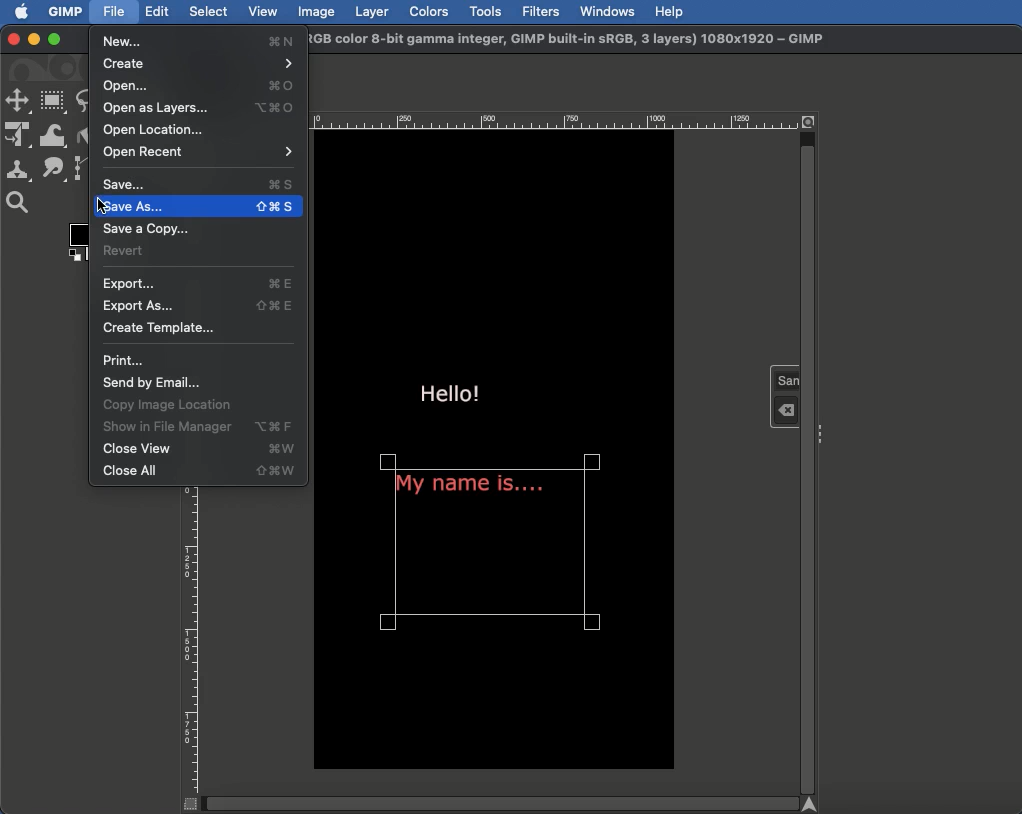  I want to click on Rectangle select tool, so click(55, 101).